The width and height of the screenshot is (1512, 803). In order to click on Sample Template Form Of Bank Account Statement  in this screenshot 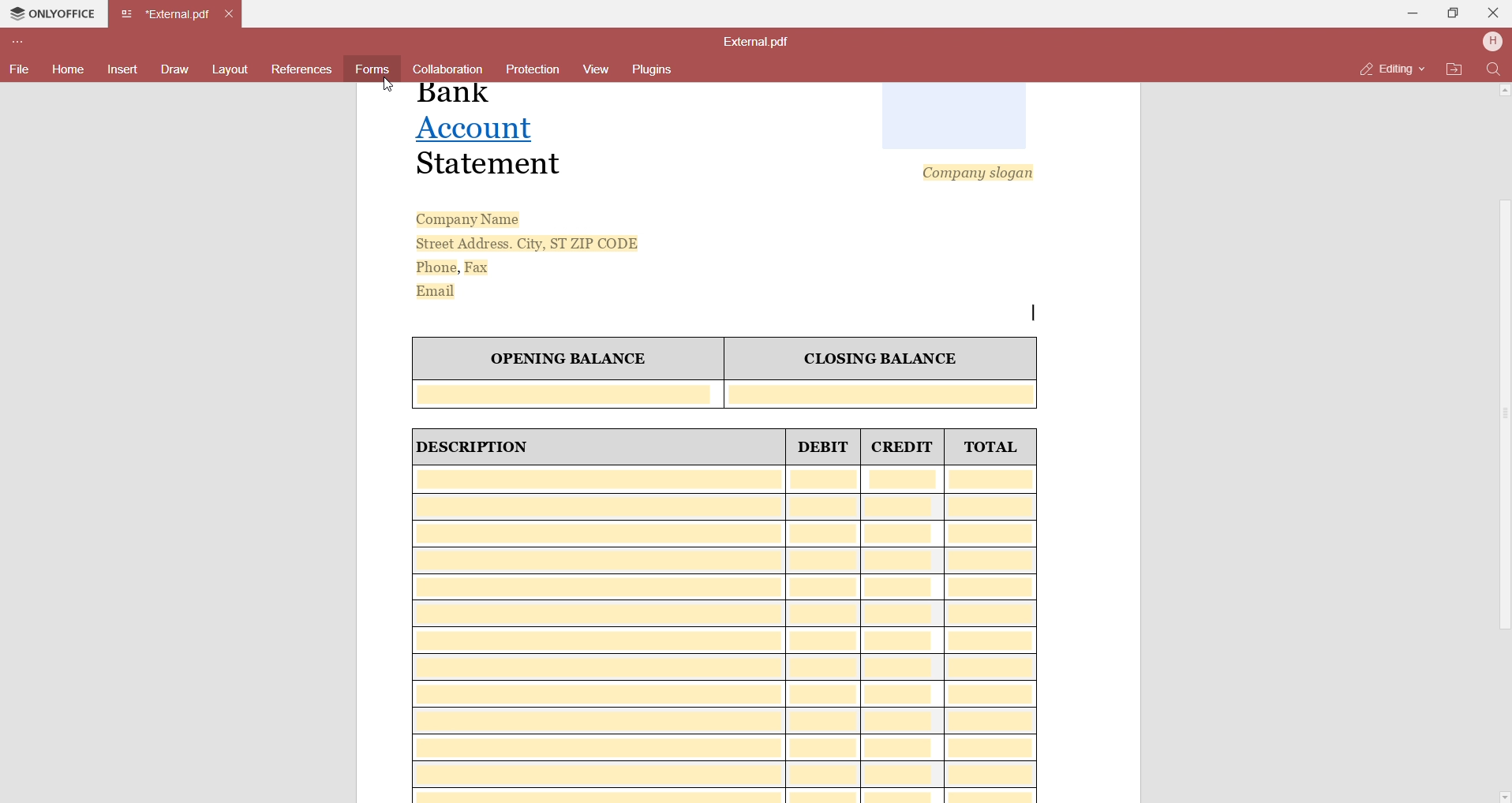, I will do `click(752, 442)`.